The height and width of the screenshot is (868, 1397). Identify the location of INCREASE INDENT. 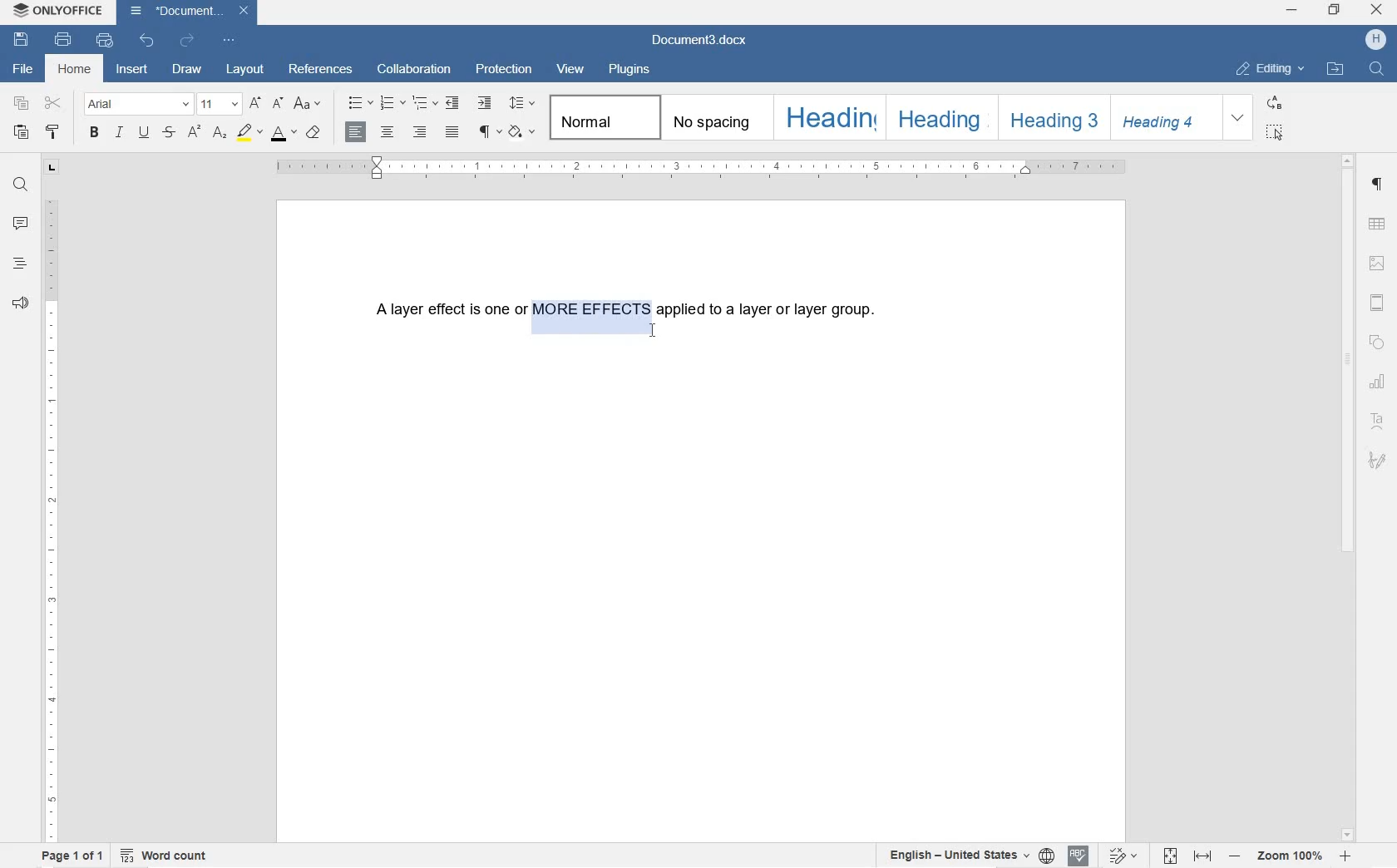
(486, 104).